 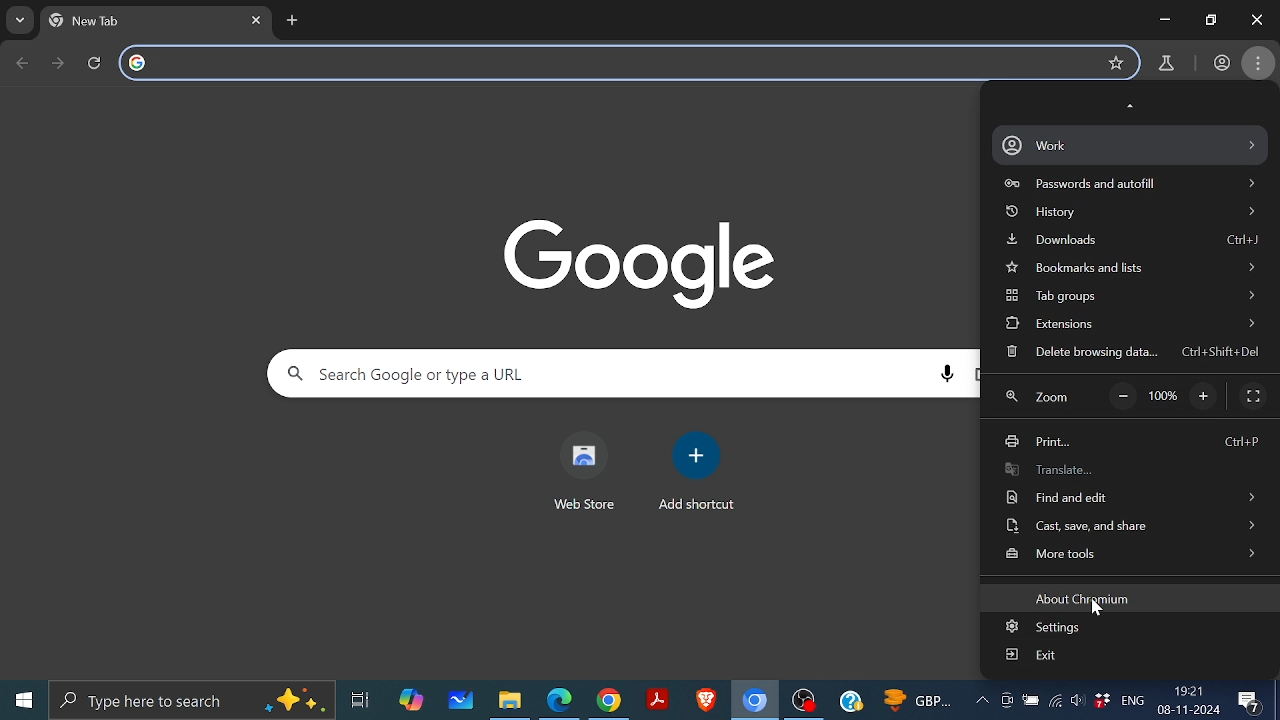 I want to click on Go back to previous page, so click(x=23, y=64).